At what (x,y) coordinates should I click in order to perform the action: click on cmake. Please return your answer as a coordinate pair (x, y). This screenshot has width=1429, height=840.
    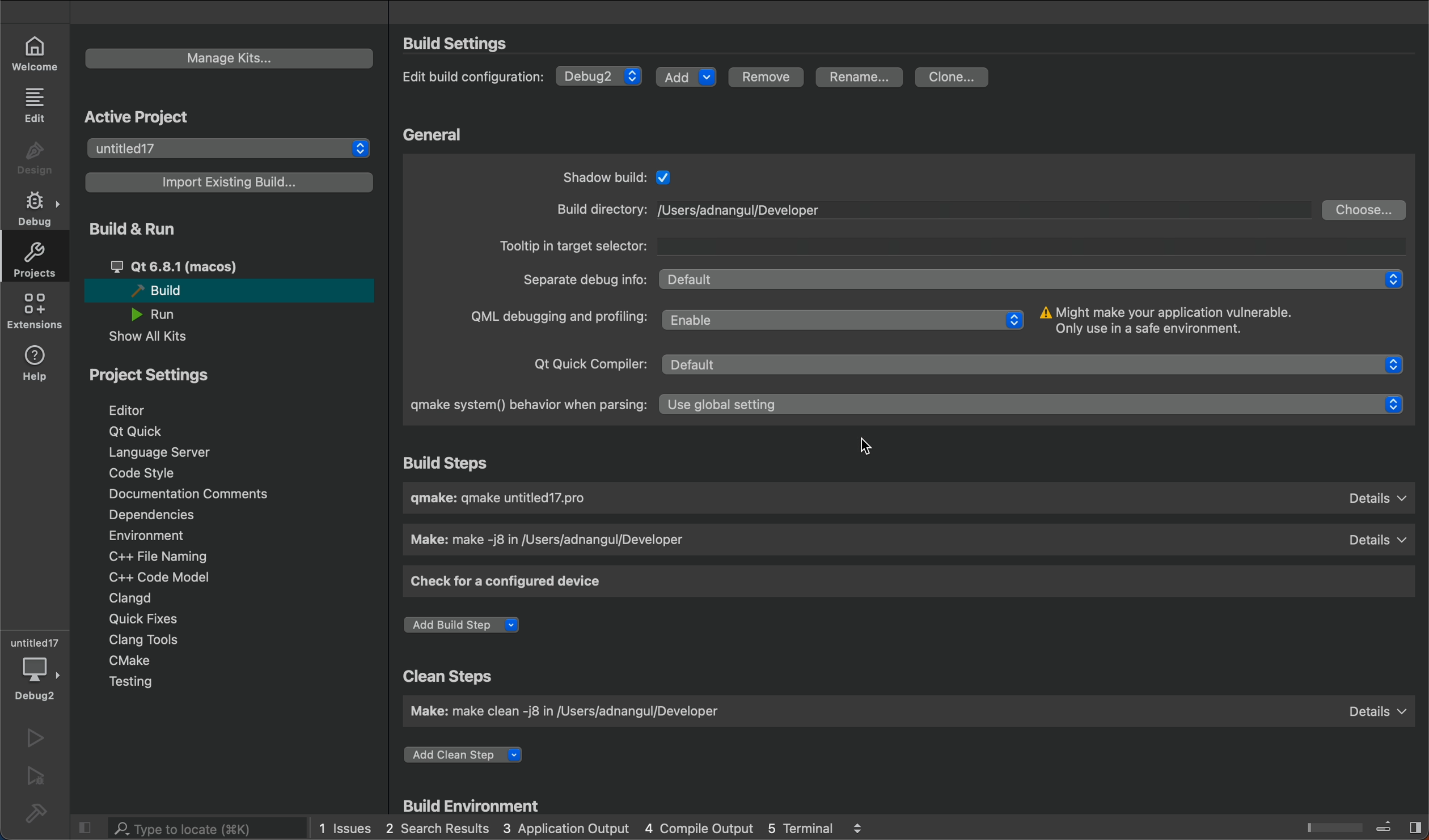
    Looking at the image, I should click on (147, 662).